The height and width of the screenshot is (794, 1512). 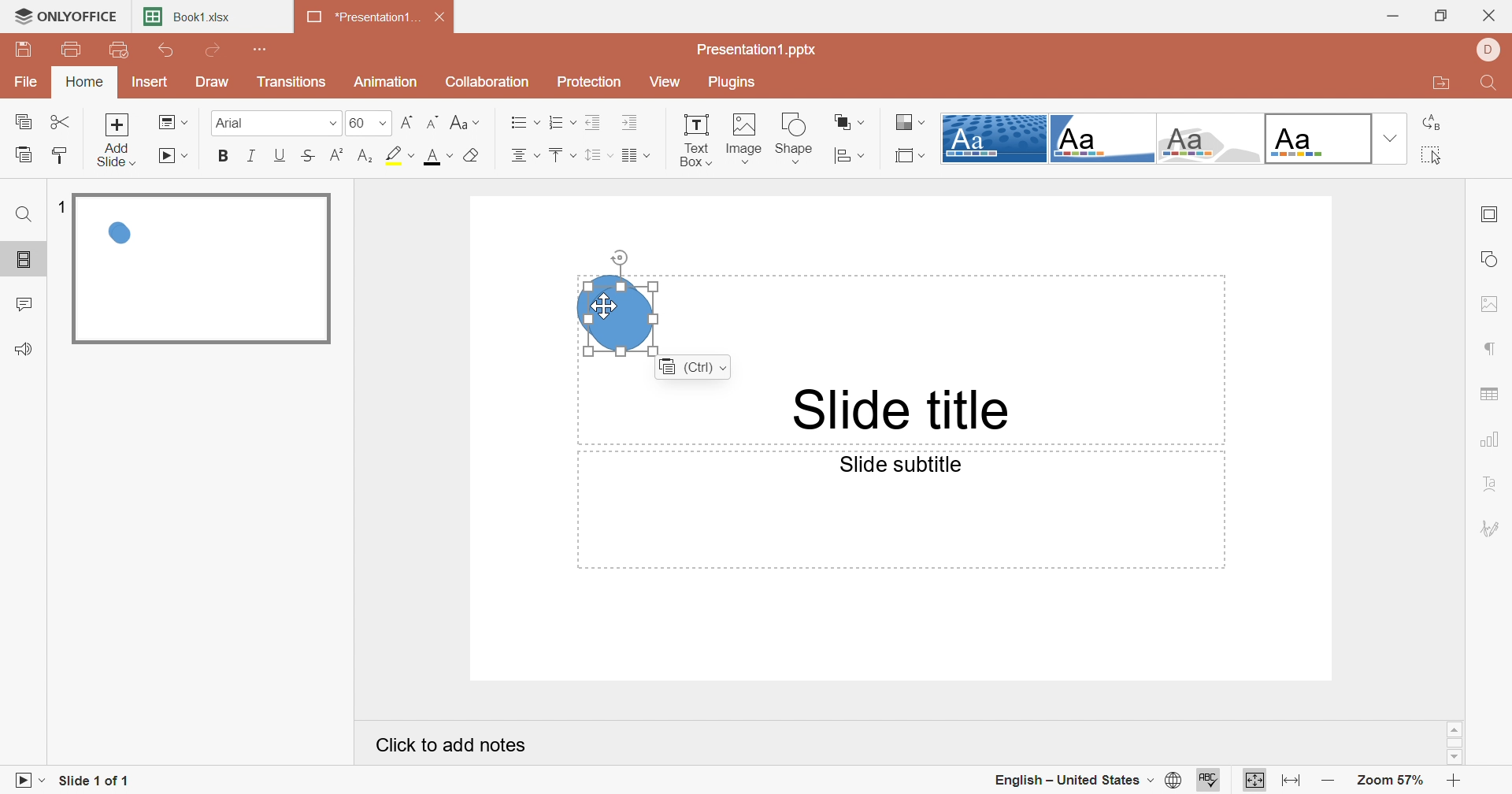 What do you see at coordinates (605, 306) in the screenshot?
I see `Cursor` at bounding box center [605, 306].